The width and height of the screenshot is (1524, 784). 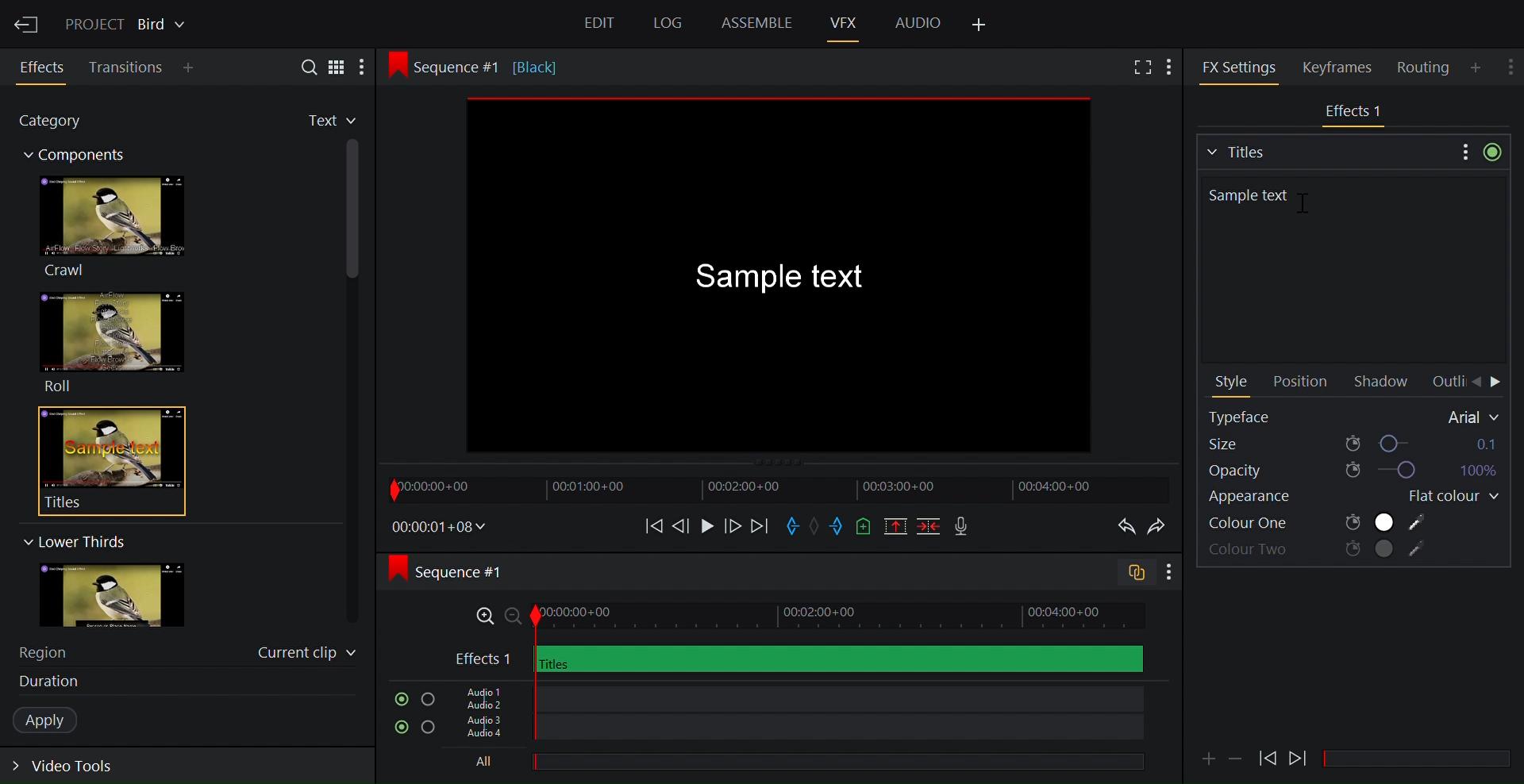 I want to click on Add a cue, so click(x=864, y=528).